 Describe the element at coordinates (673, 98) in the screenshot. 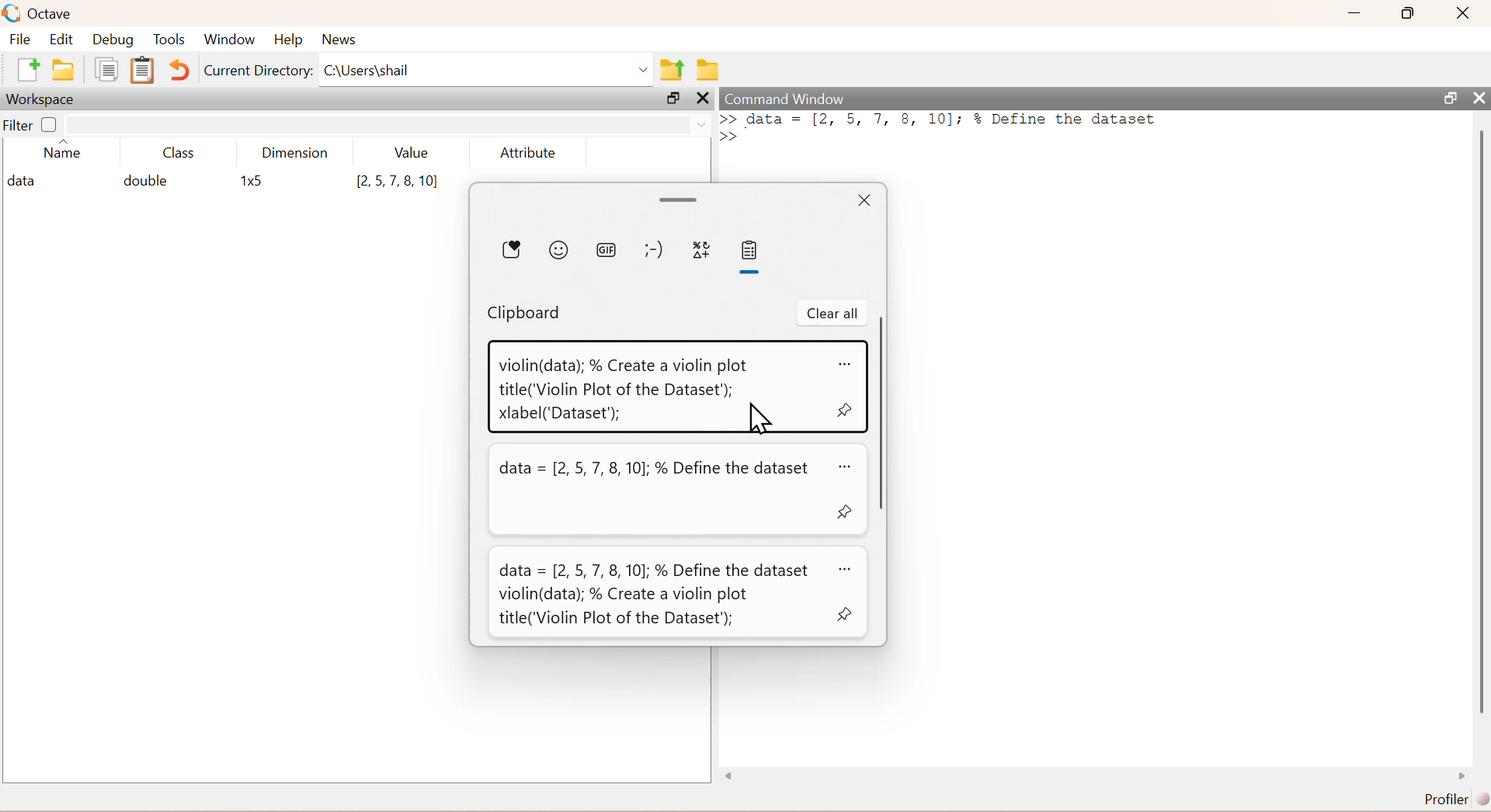

I see `open in separate window` at that location.